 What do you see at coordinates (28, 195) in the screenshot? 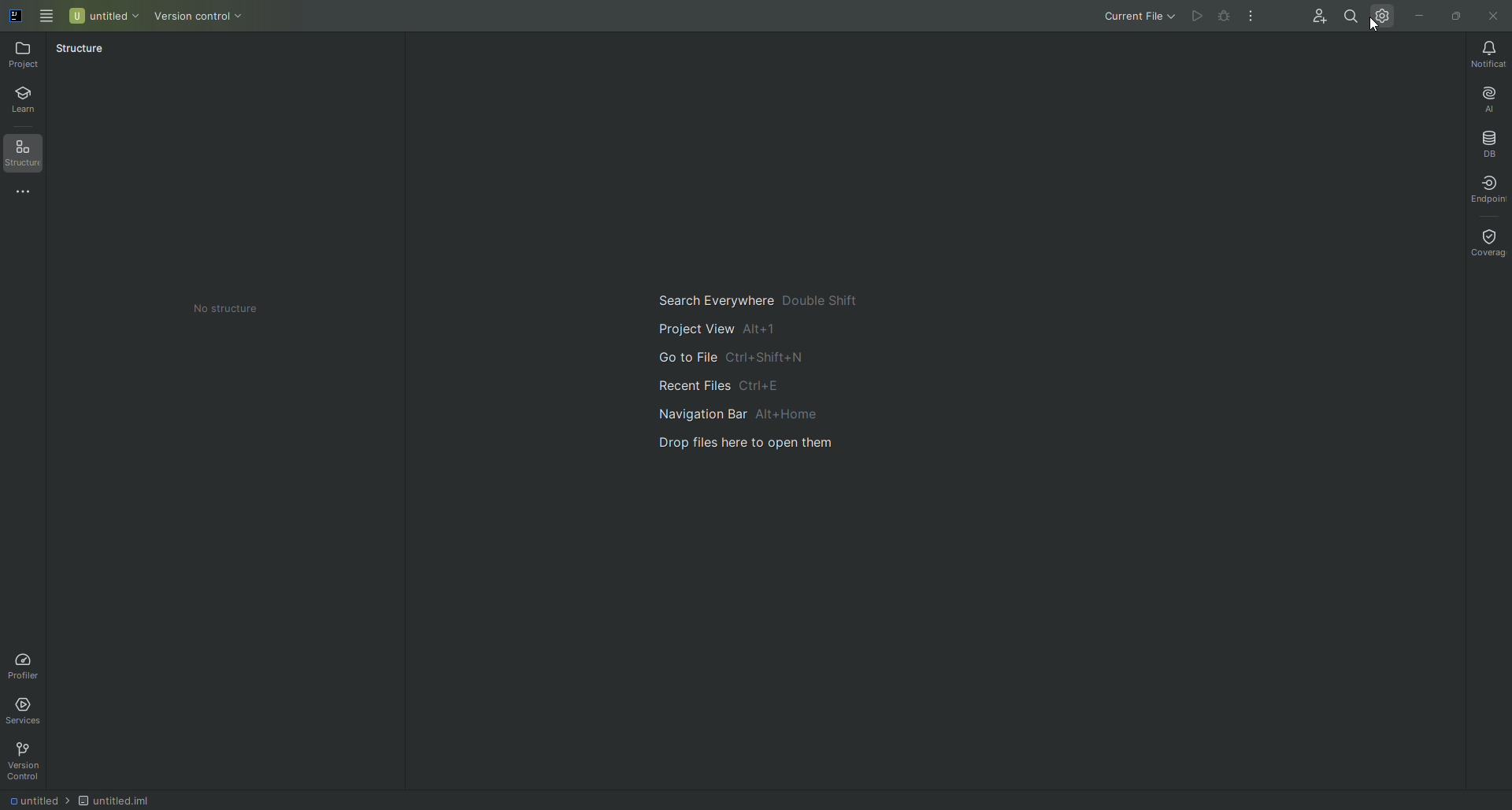
I see `More Tools` at bounding box center [28, 195].